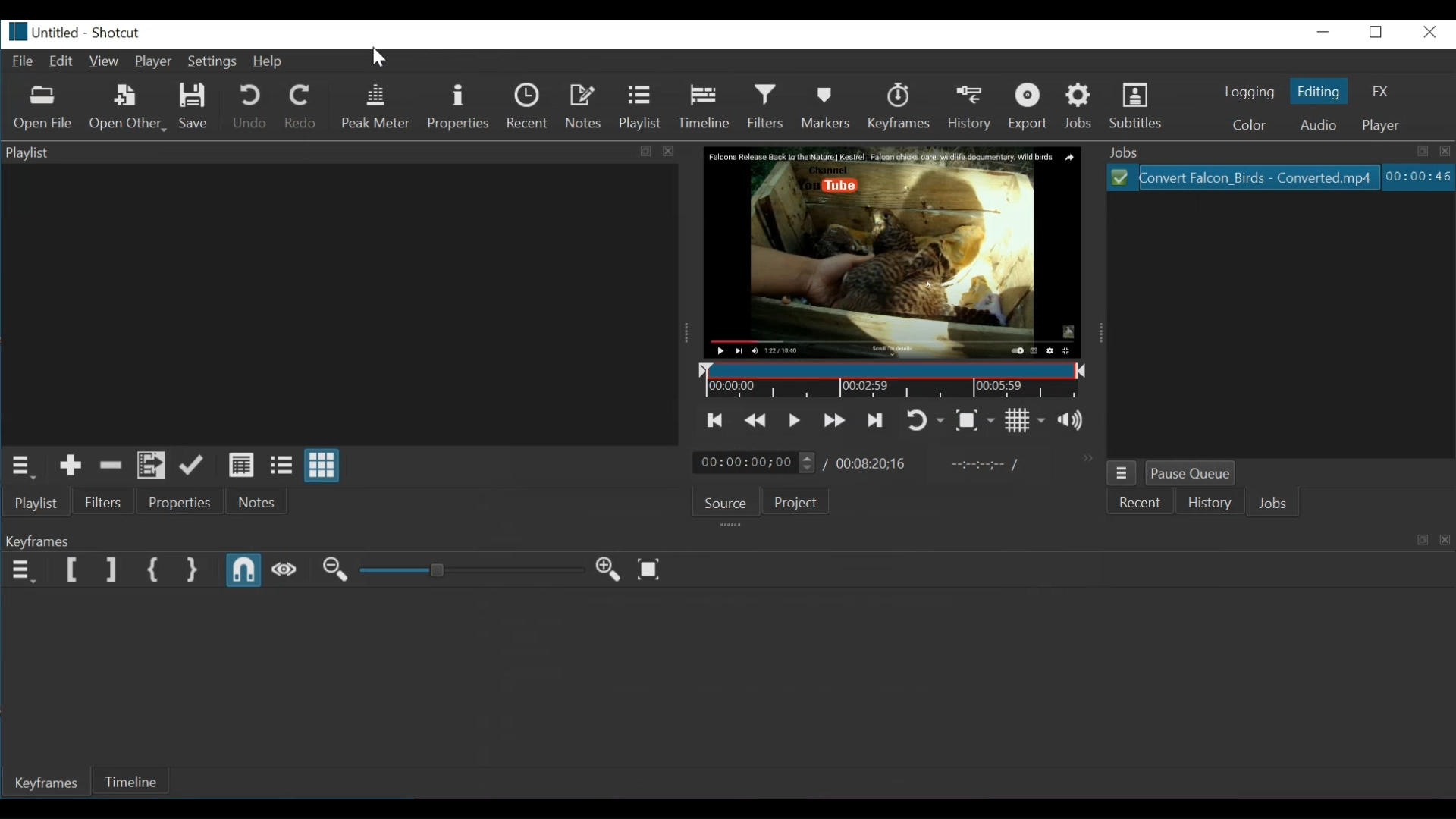 The width and height of the screenshot is (1456, 819). I want to click on Falcon Release Back to the Nature | Kestrel. Falcon chicks care wildlife documentary. Wild Birds. Channel. You tube(Media Viewer), so click(888, 252).